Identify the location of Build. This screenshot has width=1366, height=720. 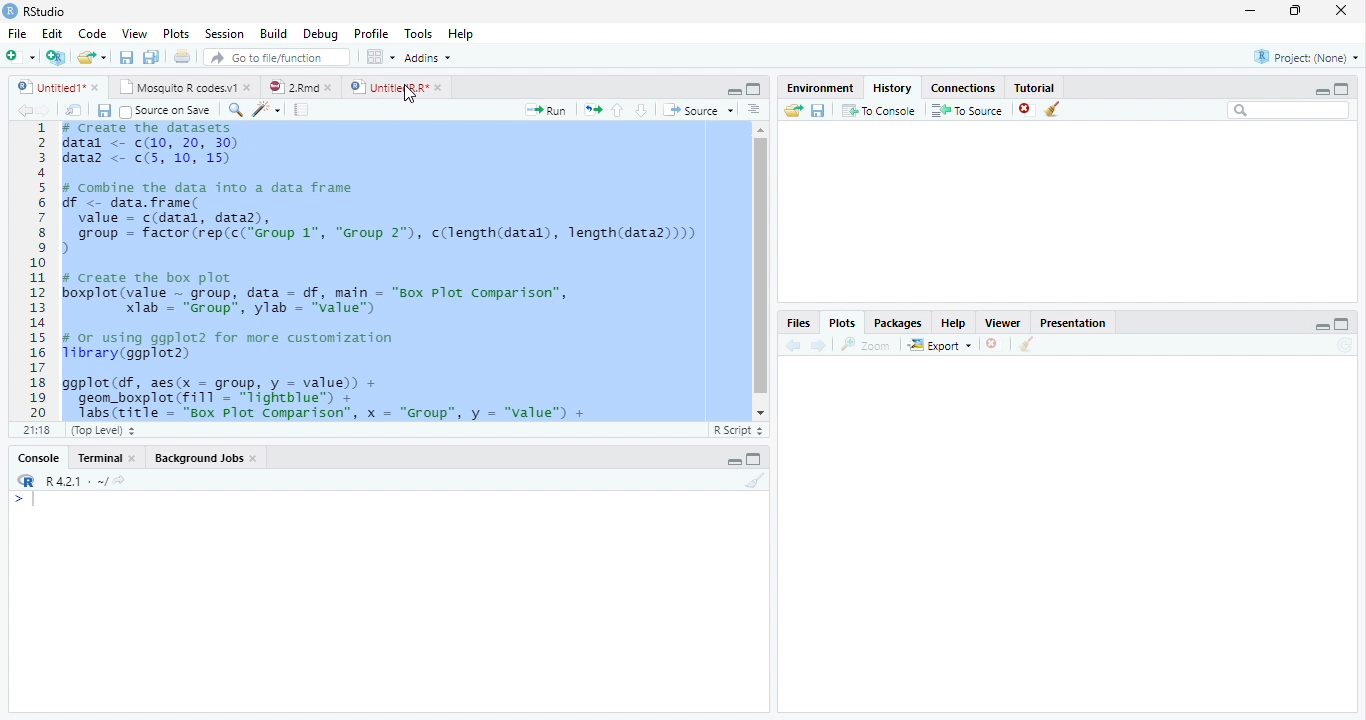
(272, 33).